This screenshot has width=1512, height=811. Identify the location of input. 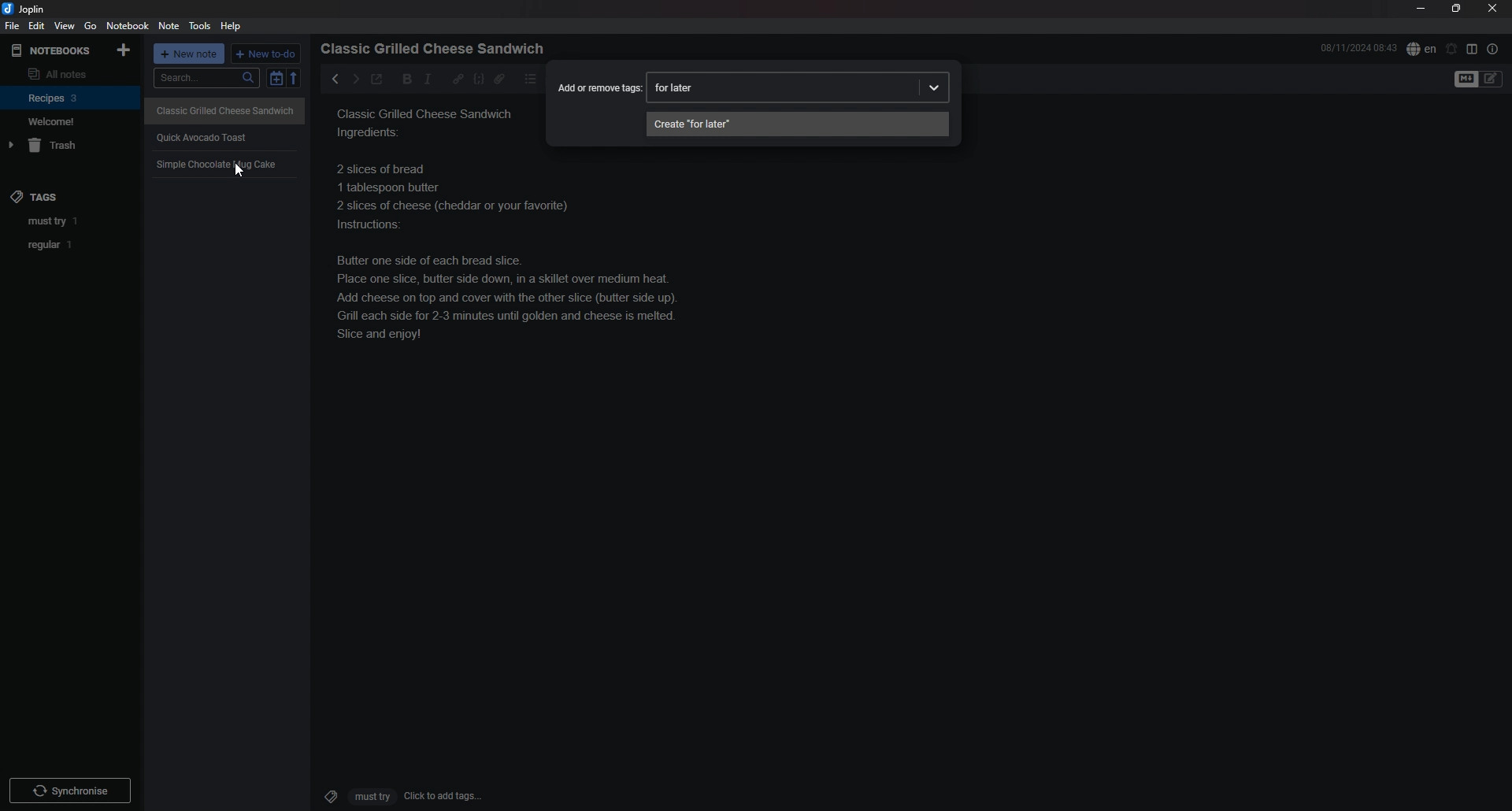
(680, 87).